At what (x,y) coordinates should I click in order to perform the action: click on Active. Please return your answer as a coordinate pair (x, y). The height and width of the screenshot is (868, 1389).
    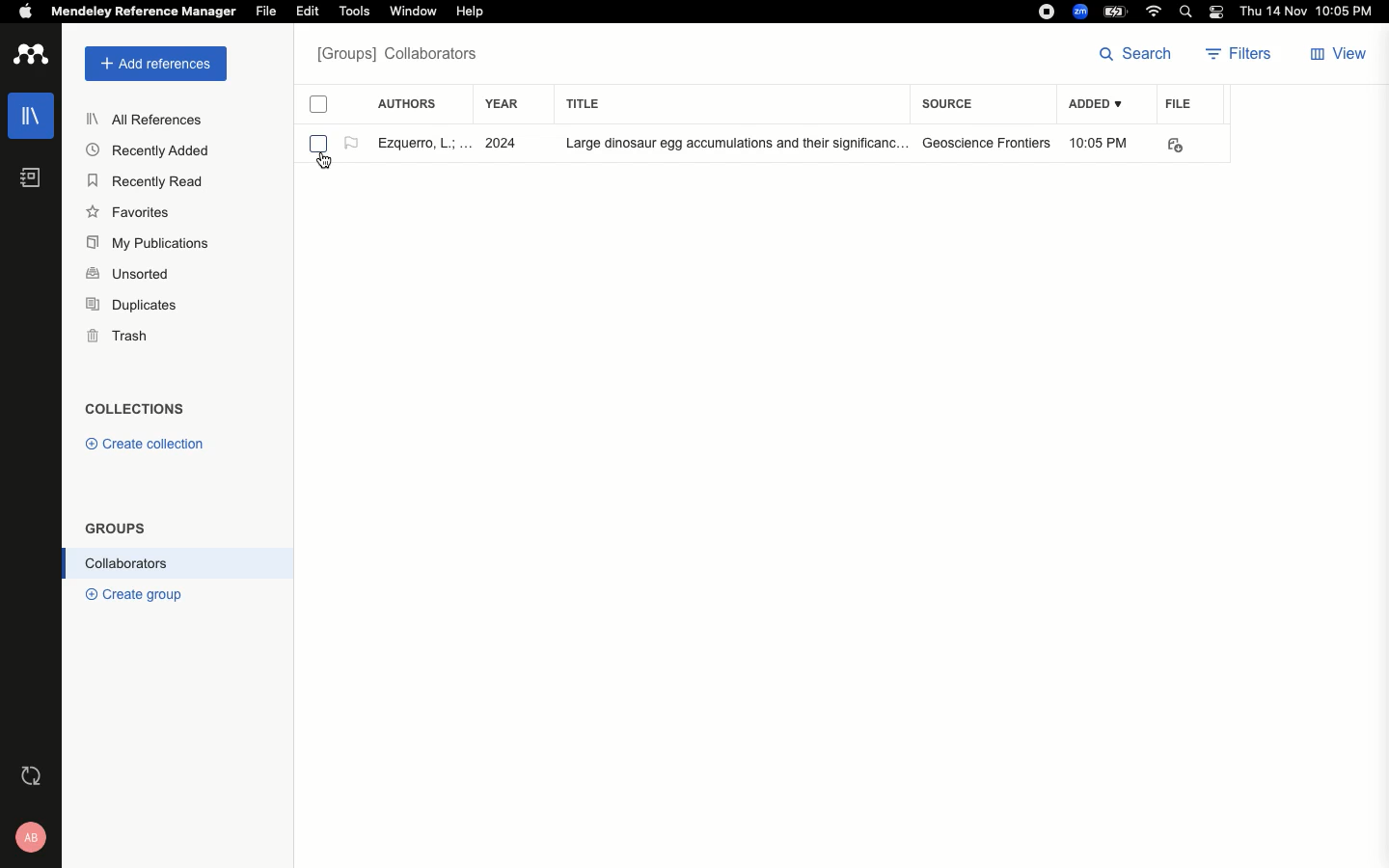
    Looking at the image, I should click on (350, 144).